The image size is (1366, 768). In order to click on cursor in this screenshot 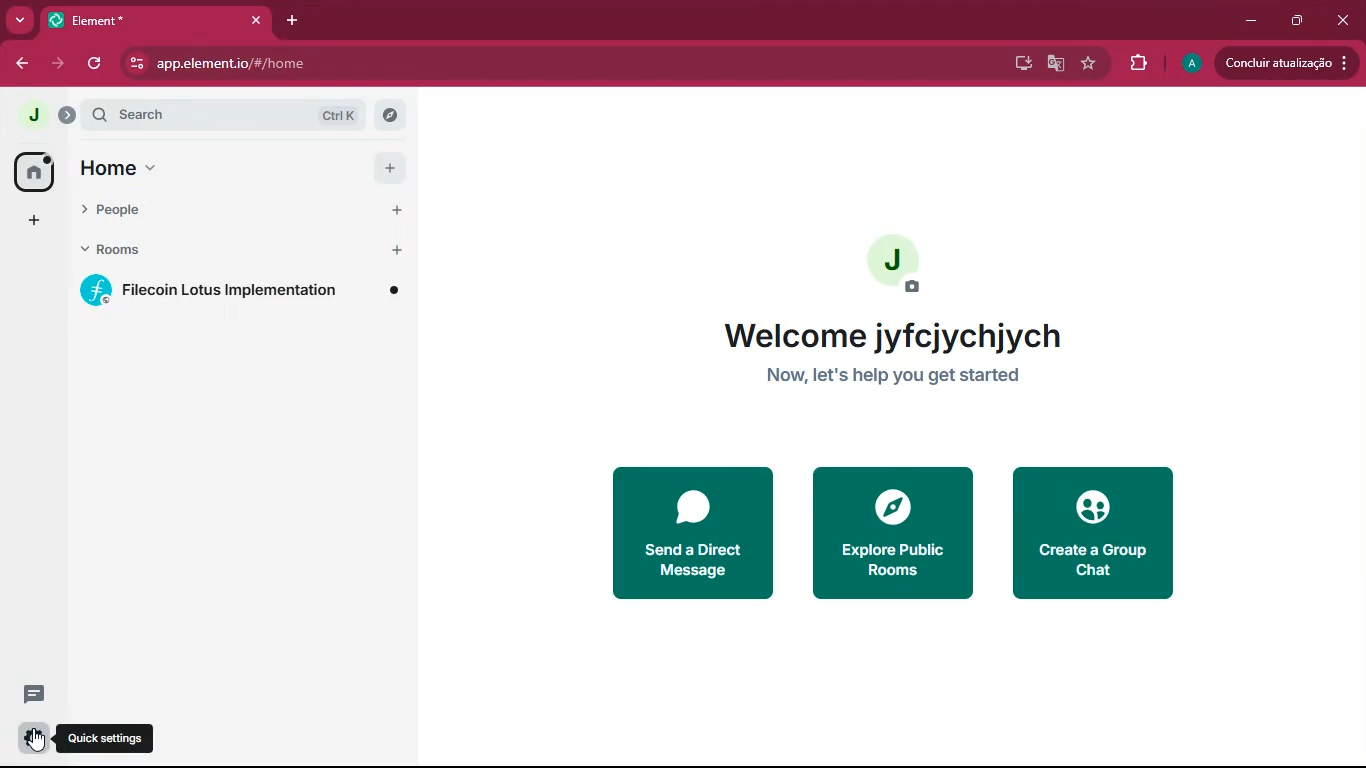, I will do `click(35, 742)`.